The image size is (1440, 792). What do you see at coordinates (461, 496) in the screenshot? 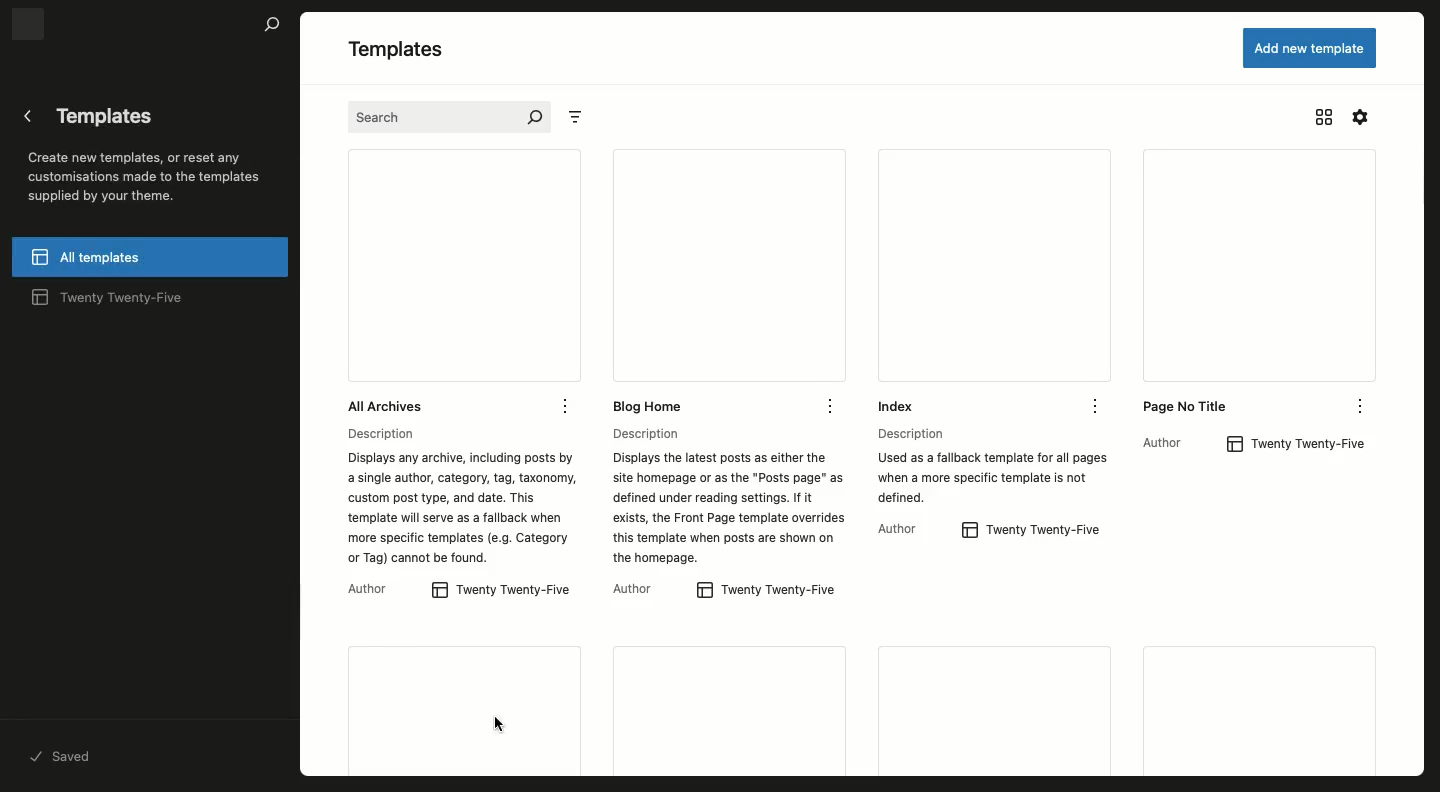
I see `Description` at bounding box center [461, 496].